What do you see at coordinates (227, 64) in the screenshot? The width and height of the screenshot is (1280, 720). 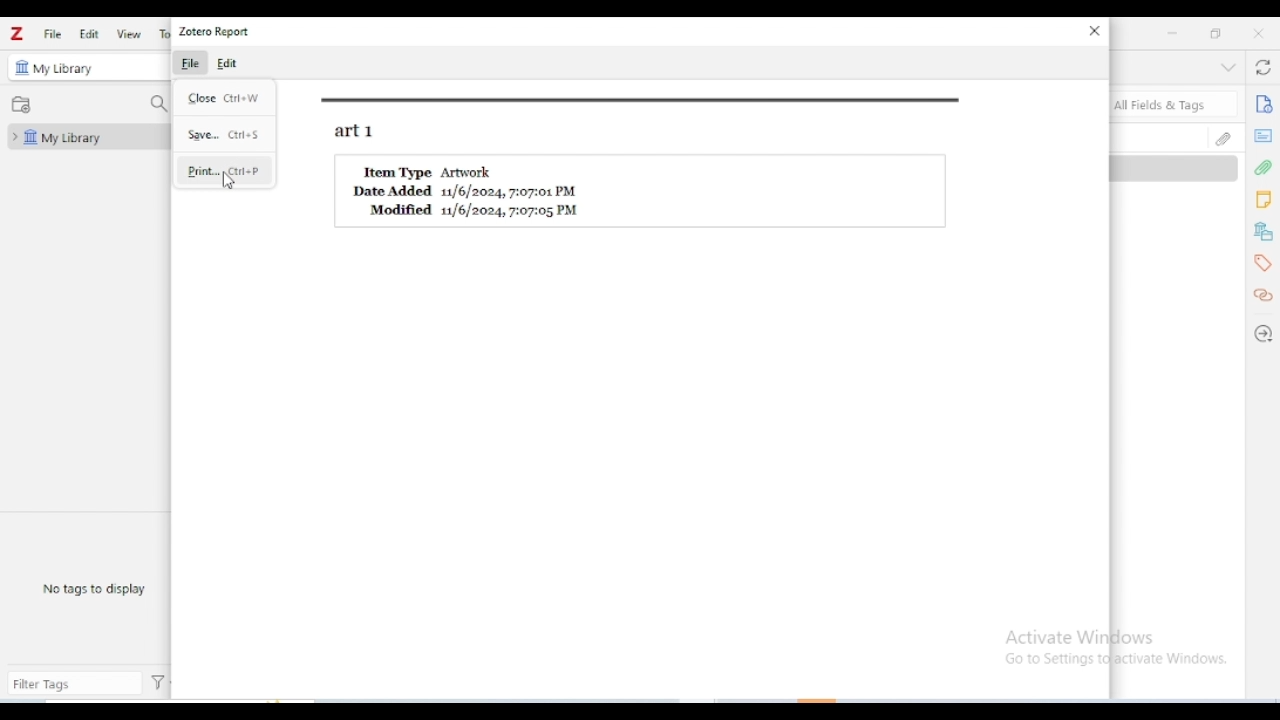 I see `edit` at bounding box center [227, 64].